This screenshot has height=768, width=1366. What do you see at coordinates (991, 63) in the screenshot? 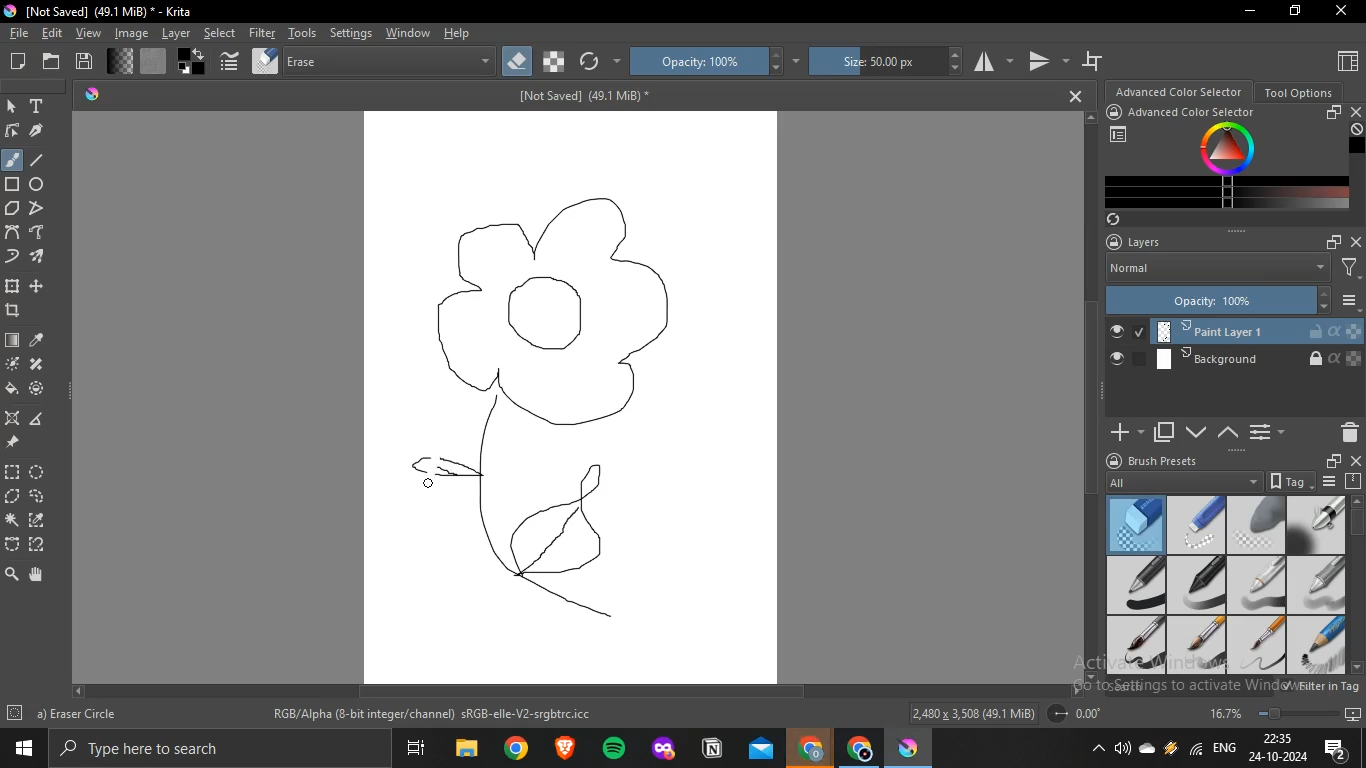
I see `horizontal mirror tool` at bounding box center [991, 63].